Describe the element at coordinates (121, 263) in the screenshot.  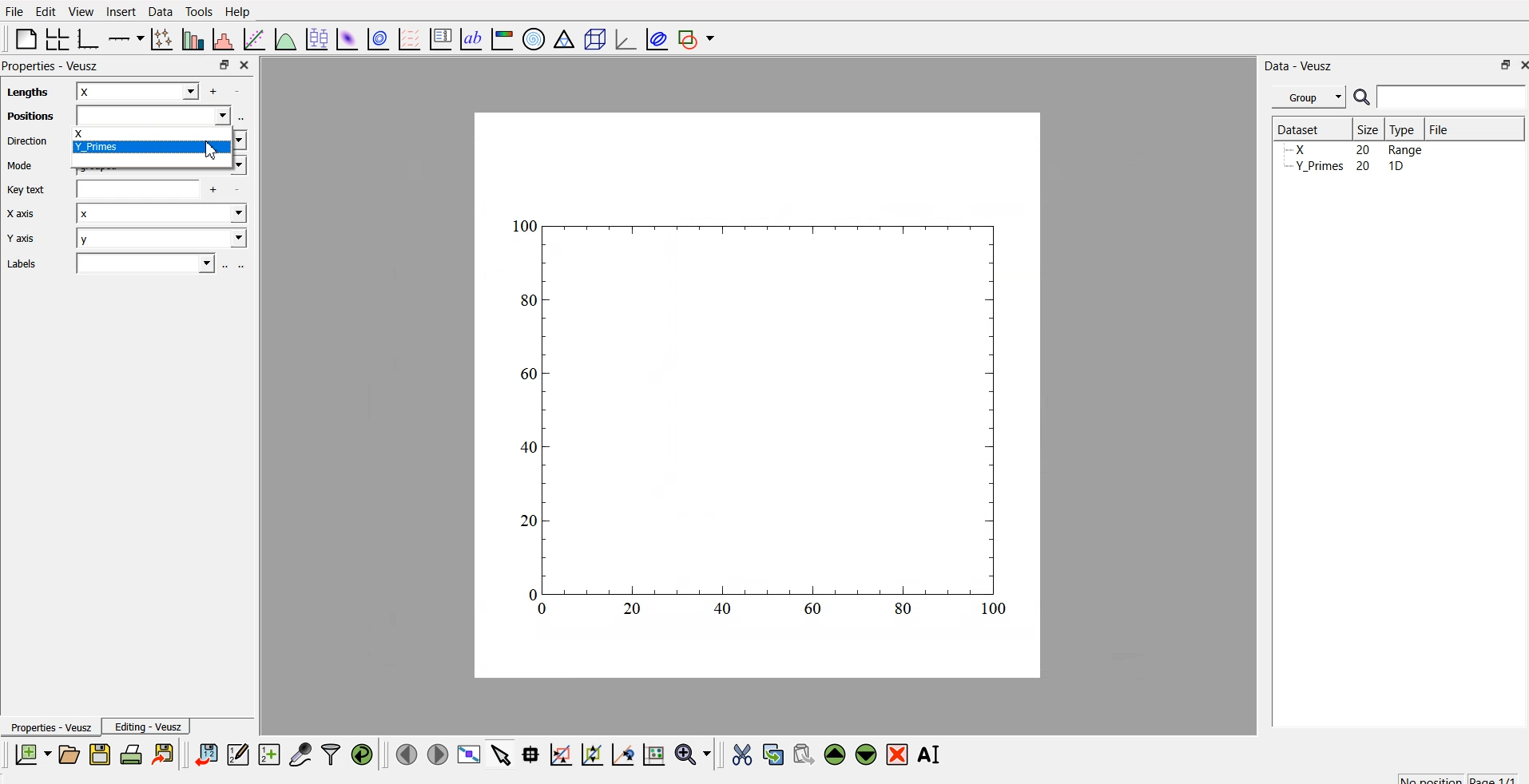
I see `Labels` at that location.